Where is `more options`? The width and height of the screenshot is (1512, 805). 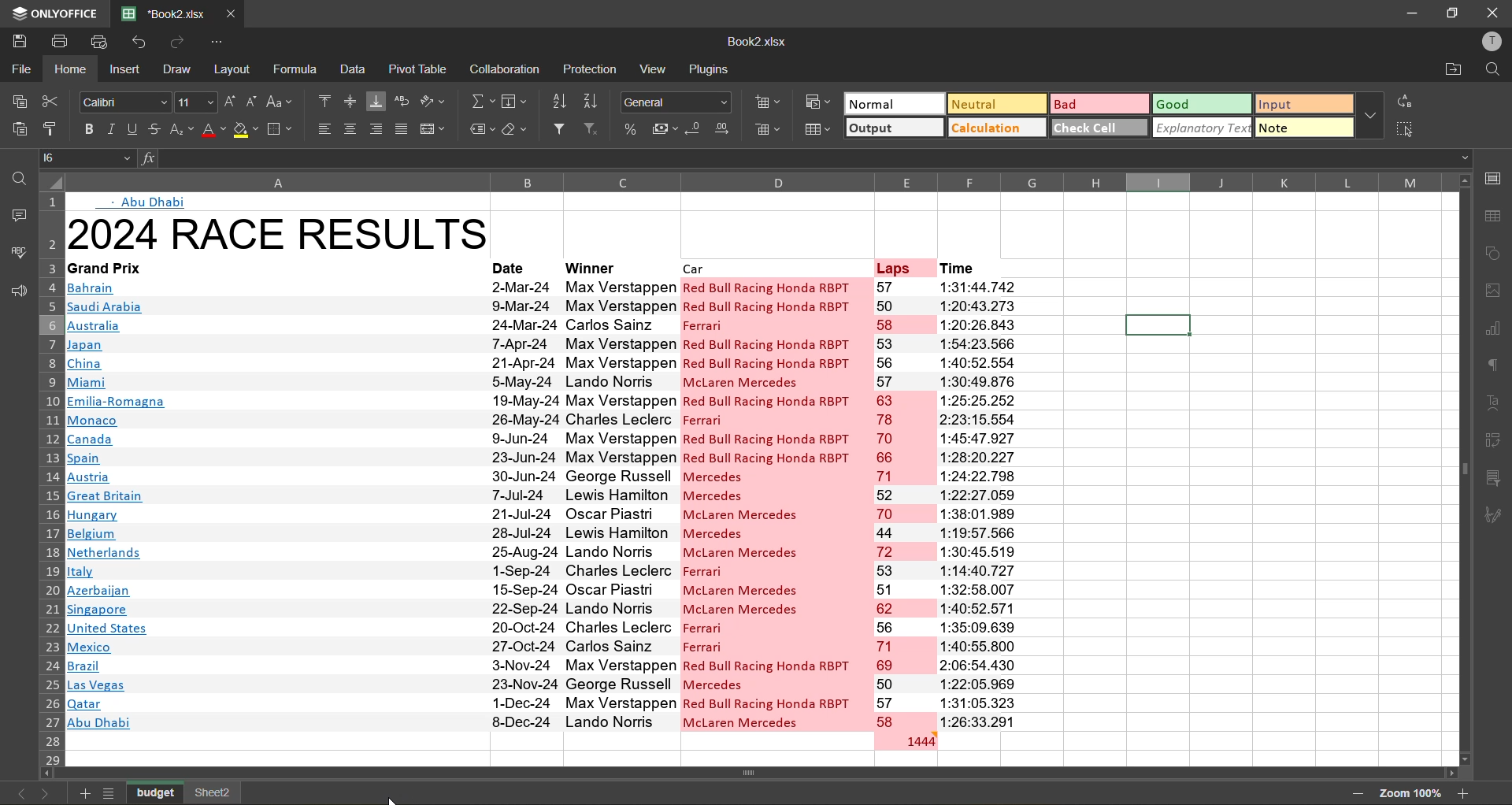 more options is located at coordinates (1371, 113).